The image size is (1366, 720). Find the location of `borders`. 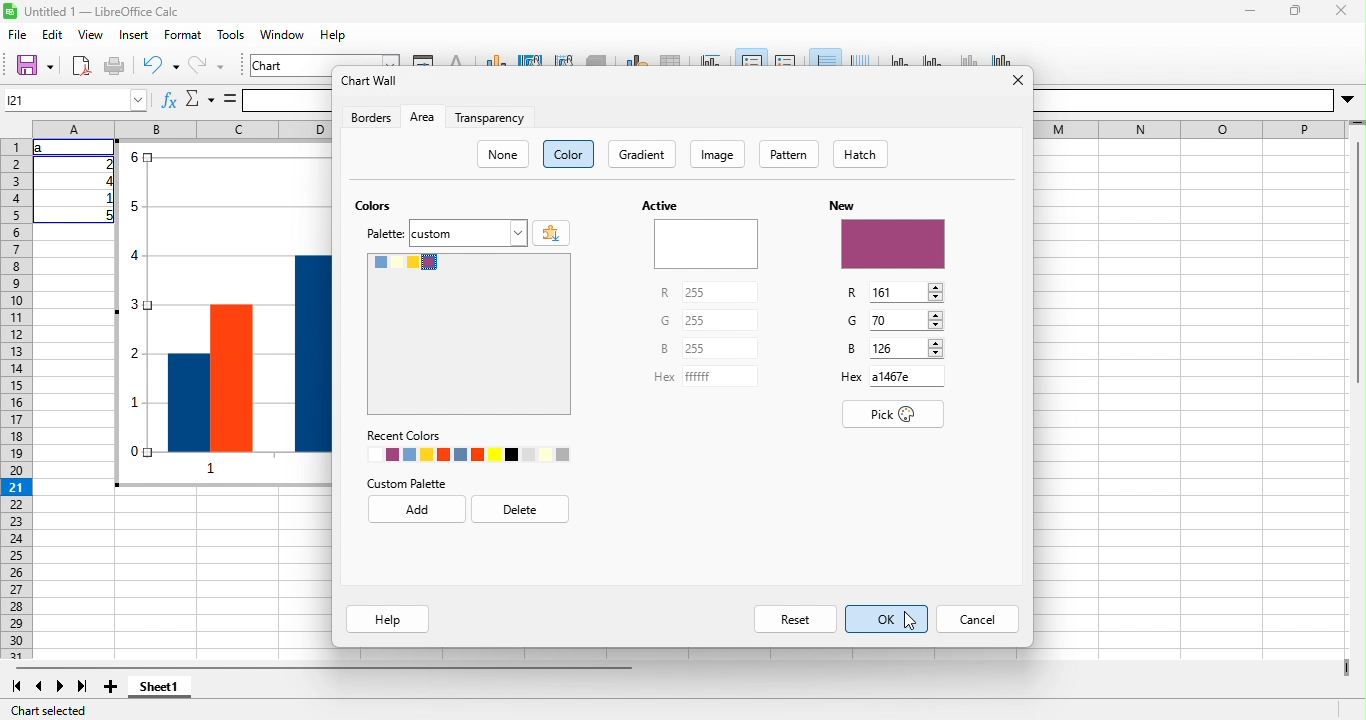

borders is located at coordinates (371, 117).